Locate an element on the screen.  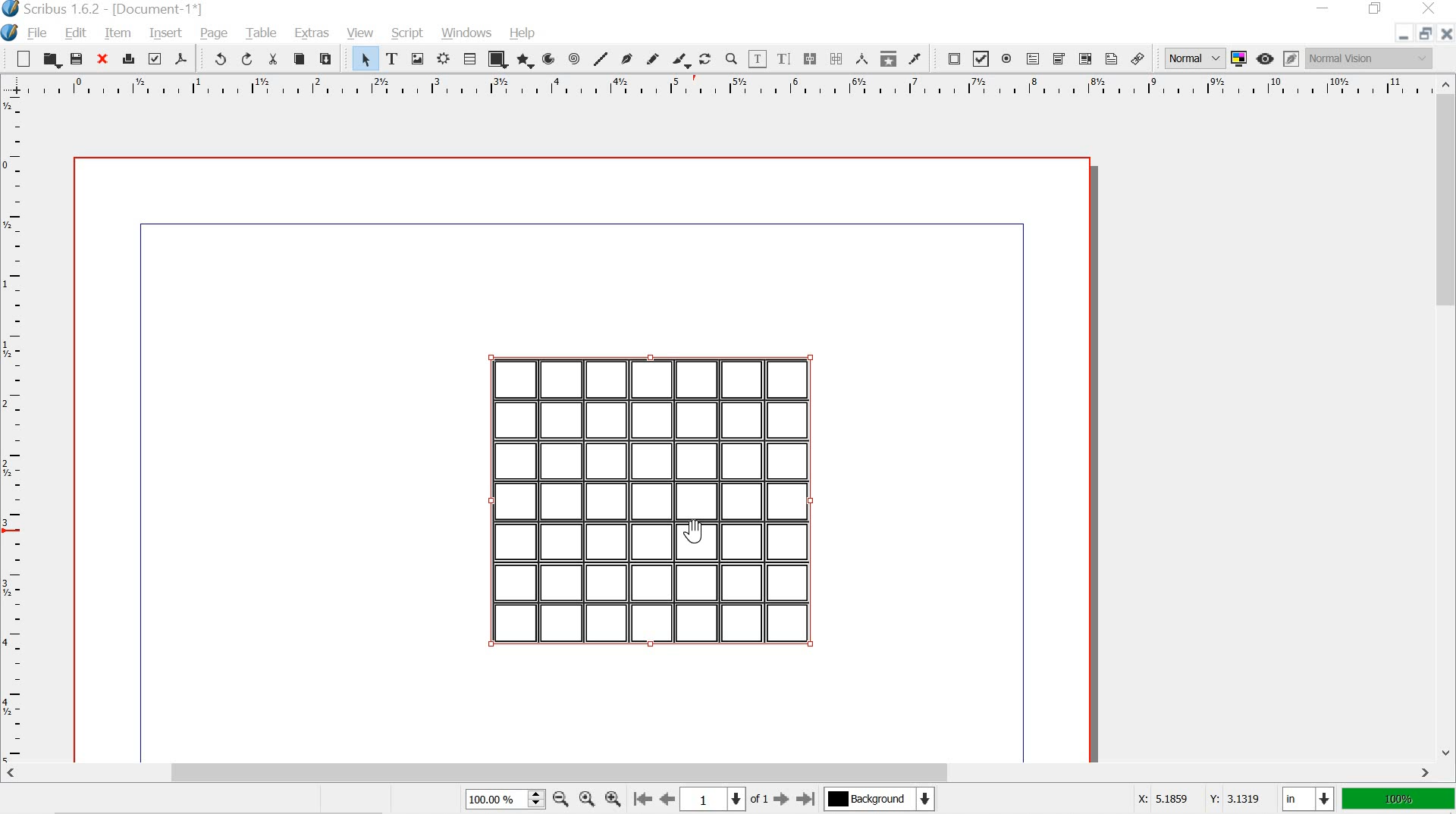
minimize is located at coordinates (1397, 36).